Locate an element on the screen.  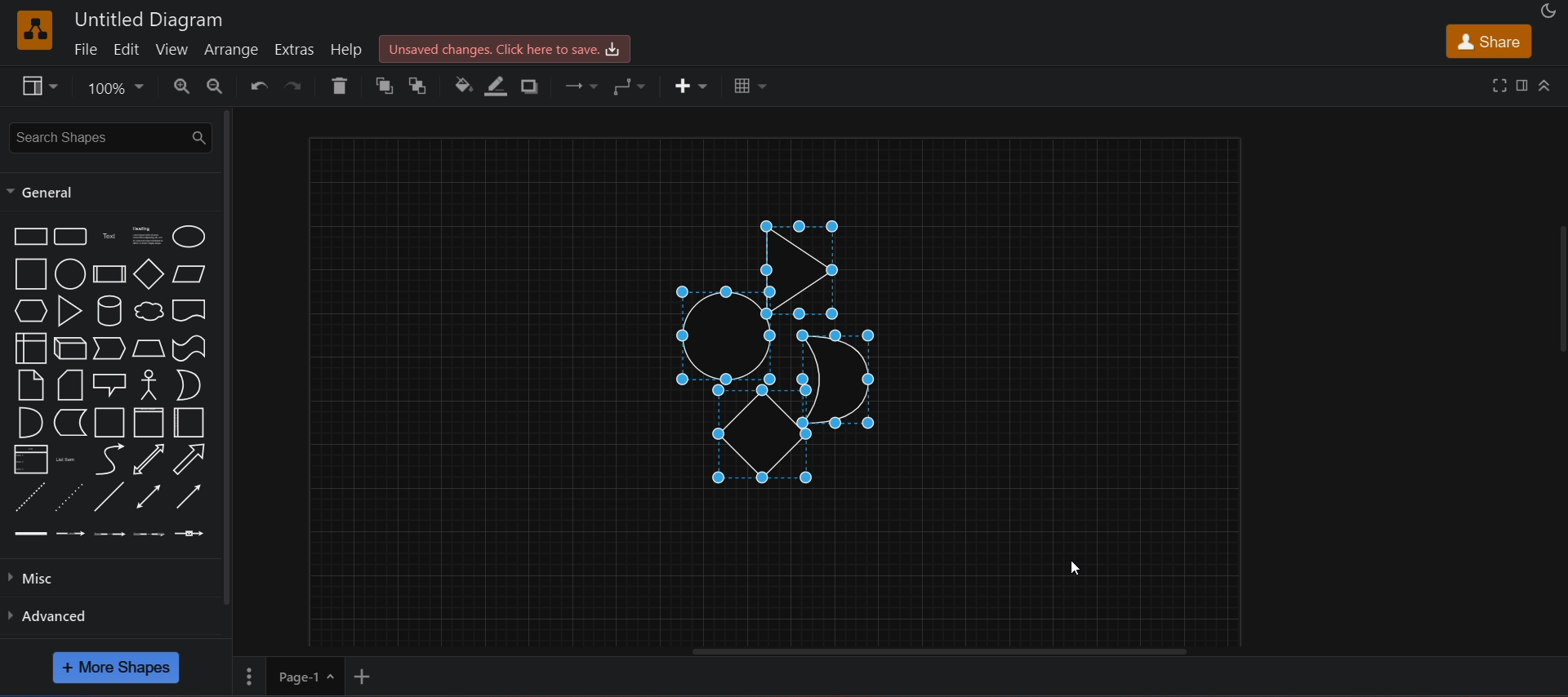
arrange is located at coordinates (234, 49).